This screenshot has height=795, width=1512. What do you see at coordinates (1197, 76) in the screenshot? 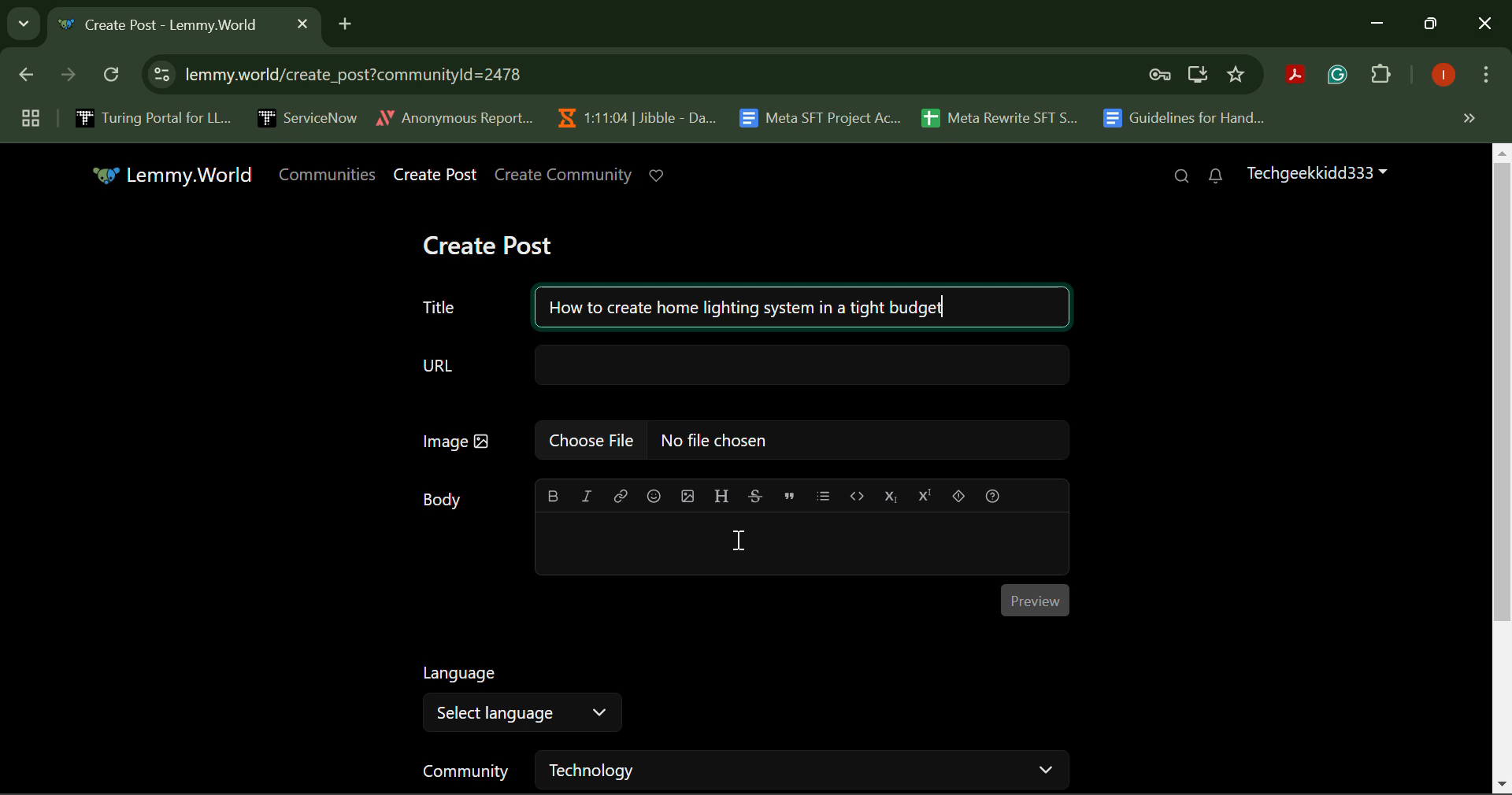
I see `Install Desktop Application` at bounding box center [1197, 76].